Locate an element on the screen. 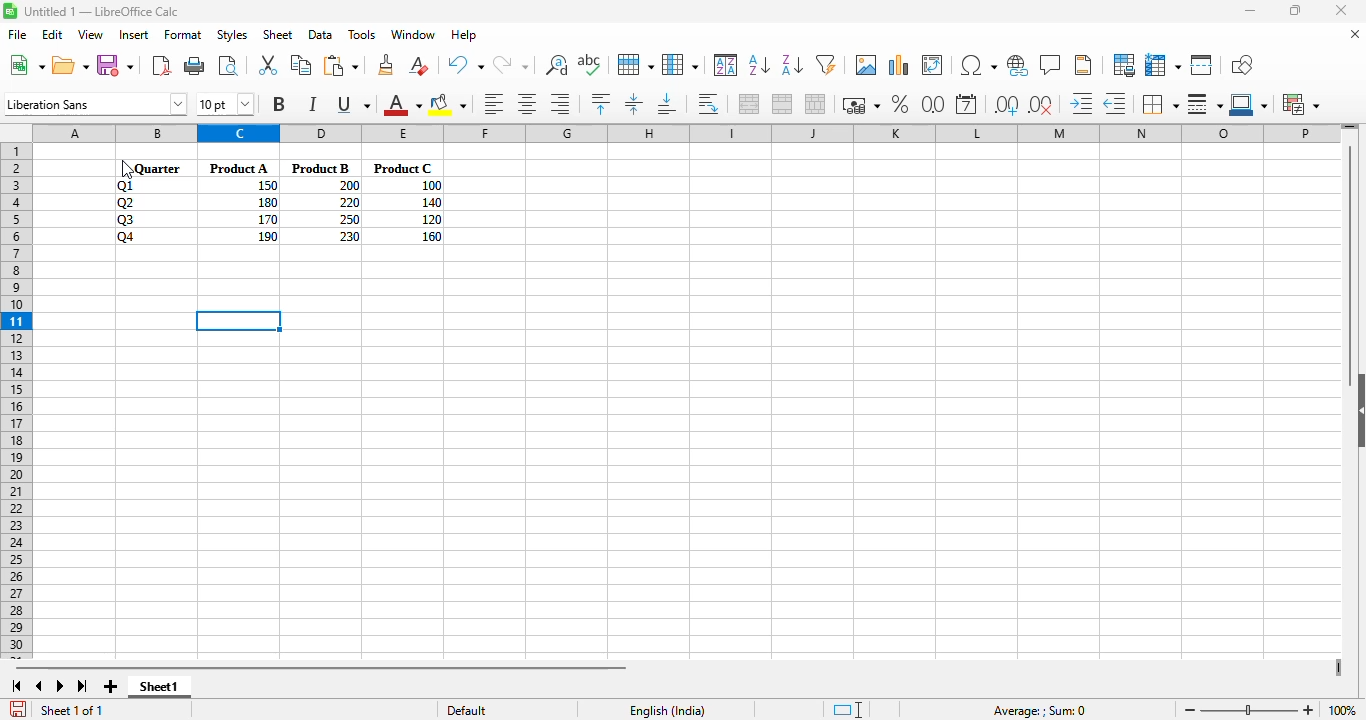 Image resolution: width=1366 pixels, height=720 pixels. standard selection is located at coordinates (847, 710).